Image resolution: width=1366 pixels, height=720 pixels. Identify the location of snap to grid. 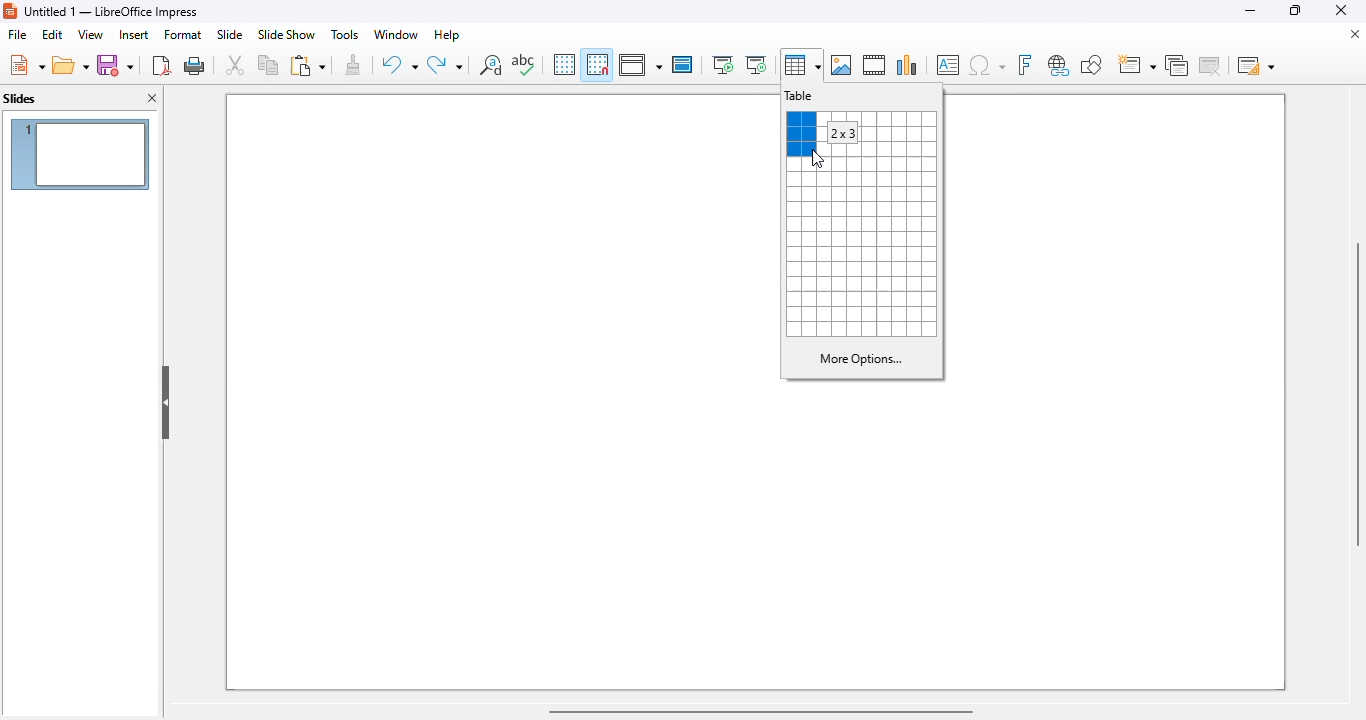
(598, 64).